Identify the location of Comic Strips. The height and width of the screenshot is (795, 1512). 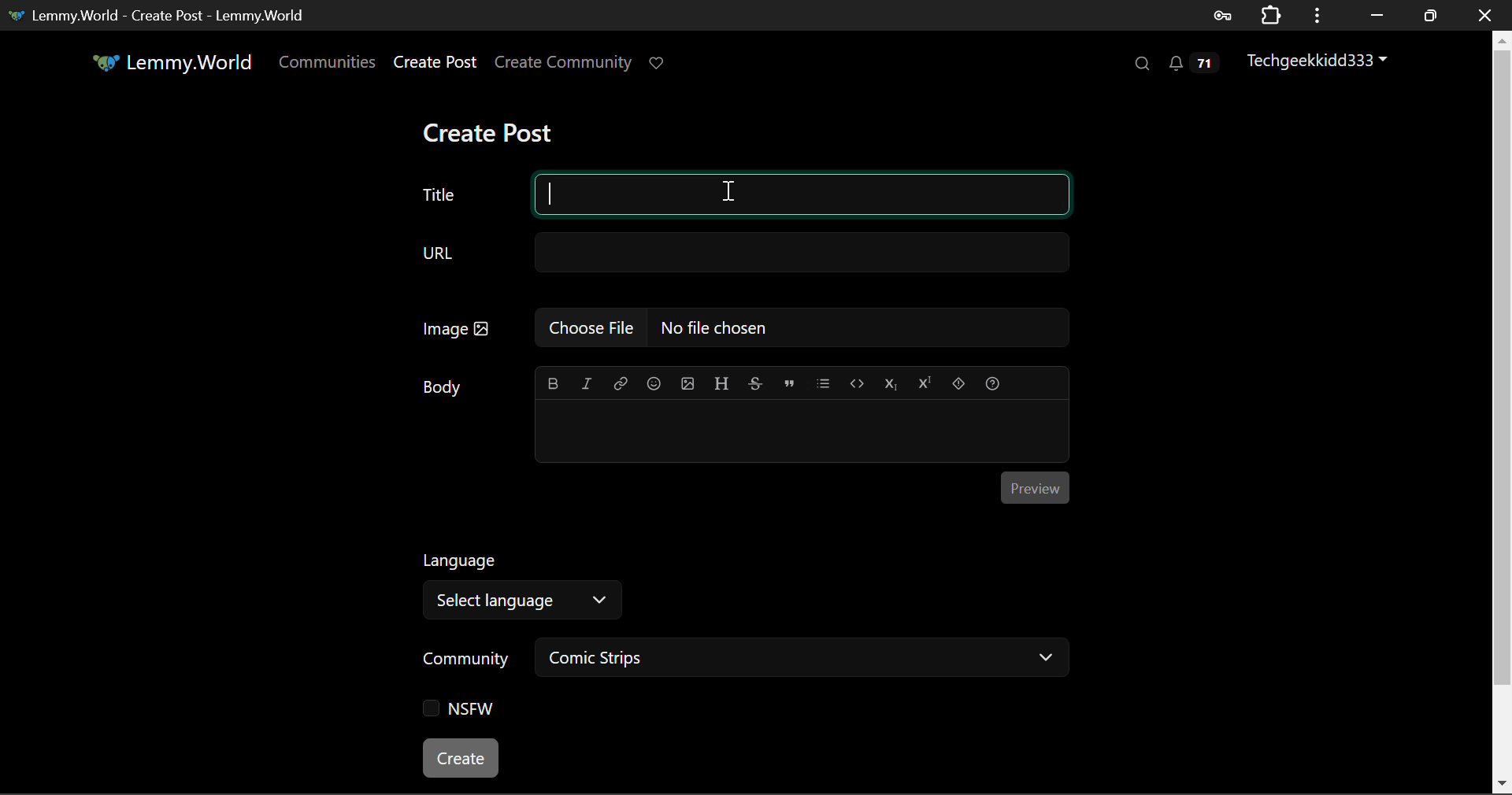
(804, 656).